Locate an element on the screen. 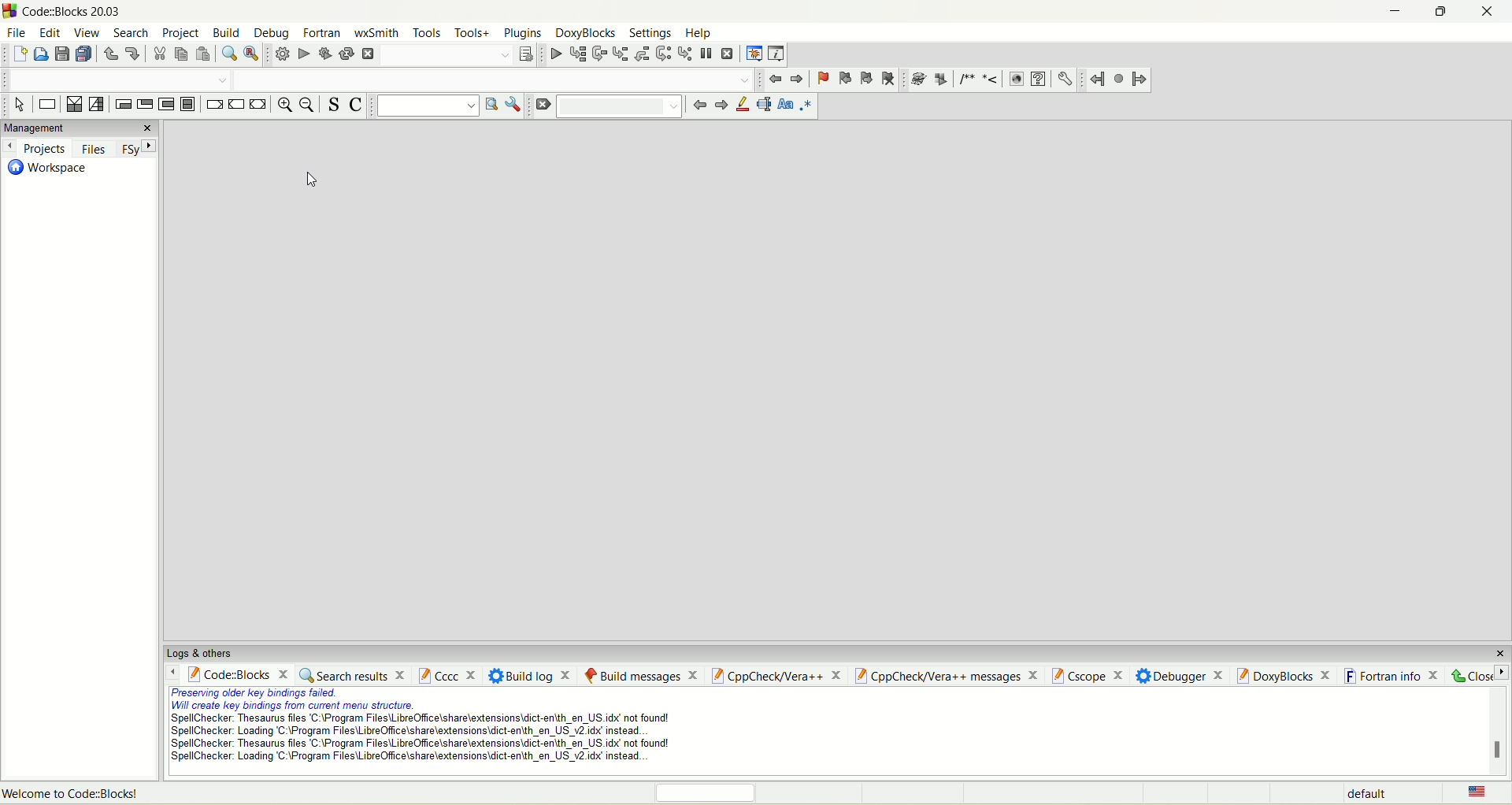 The height and width of the screenshot is (805, 1512). break debugger is located at coordinates (708, 54).